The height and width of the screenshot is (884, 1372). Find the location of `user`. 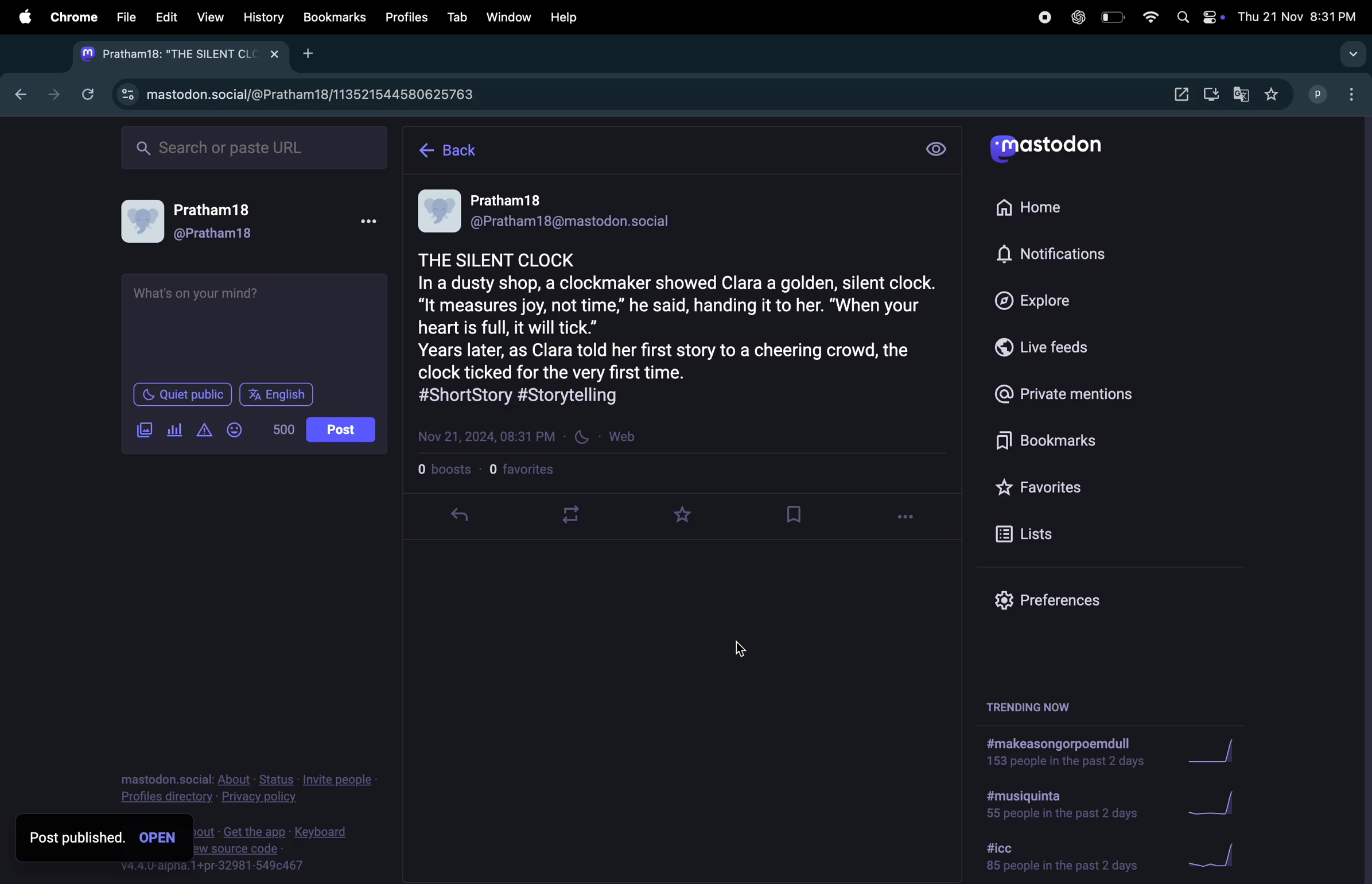

user is located at coordinates (220, 209).